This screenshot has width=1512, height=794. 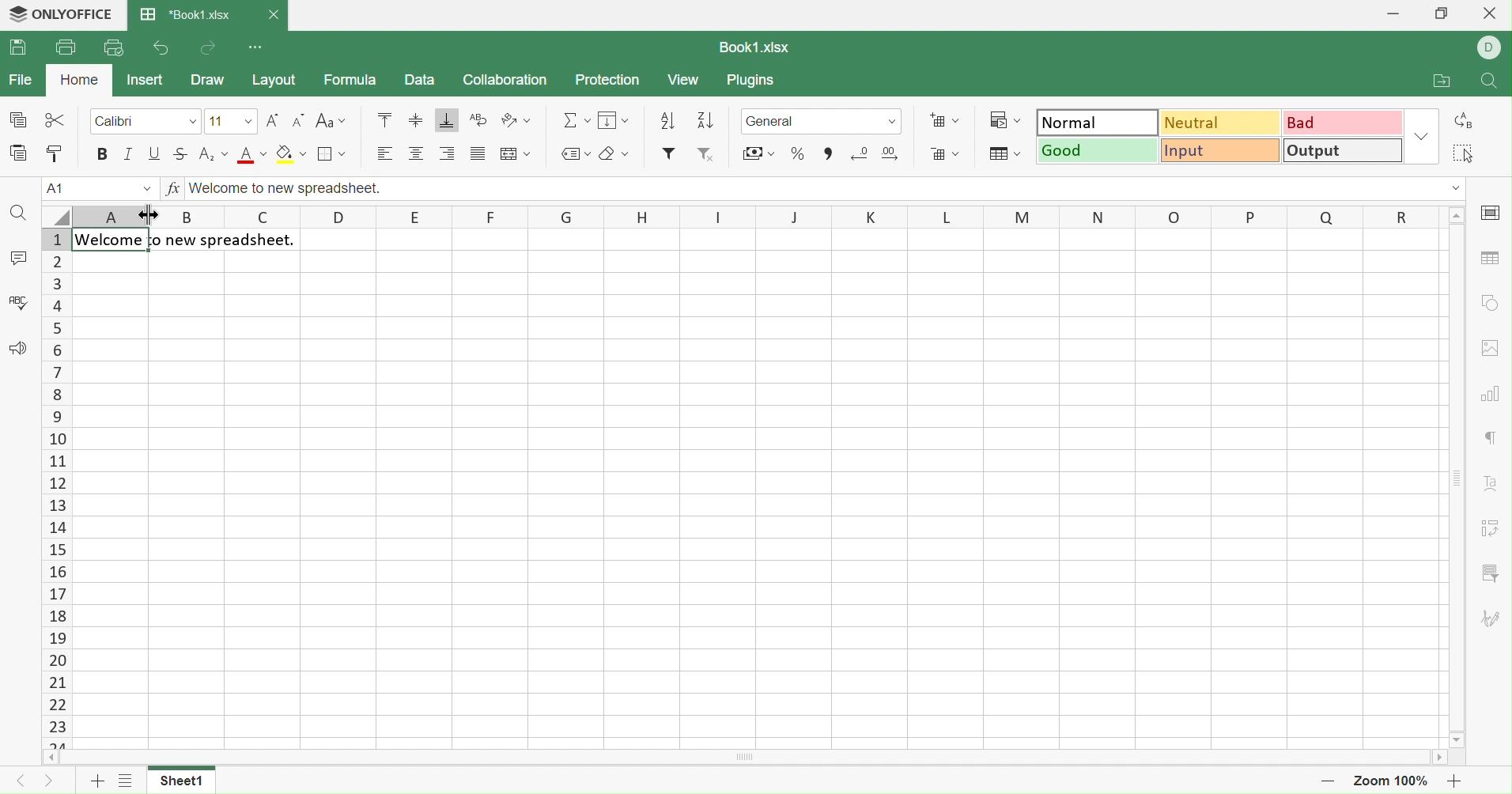 I want to click on fx, so click(x=173, y=188).